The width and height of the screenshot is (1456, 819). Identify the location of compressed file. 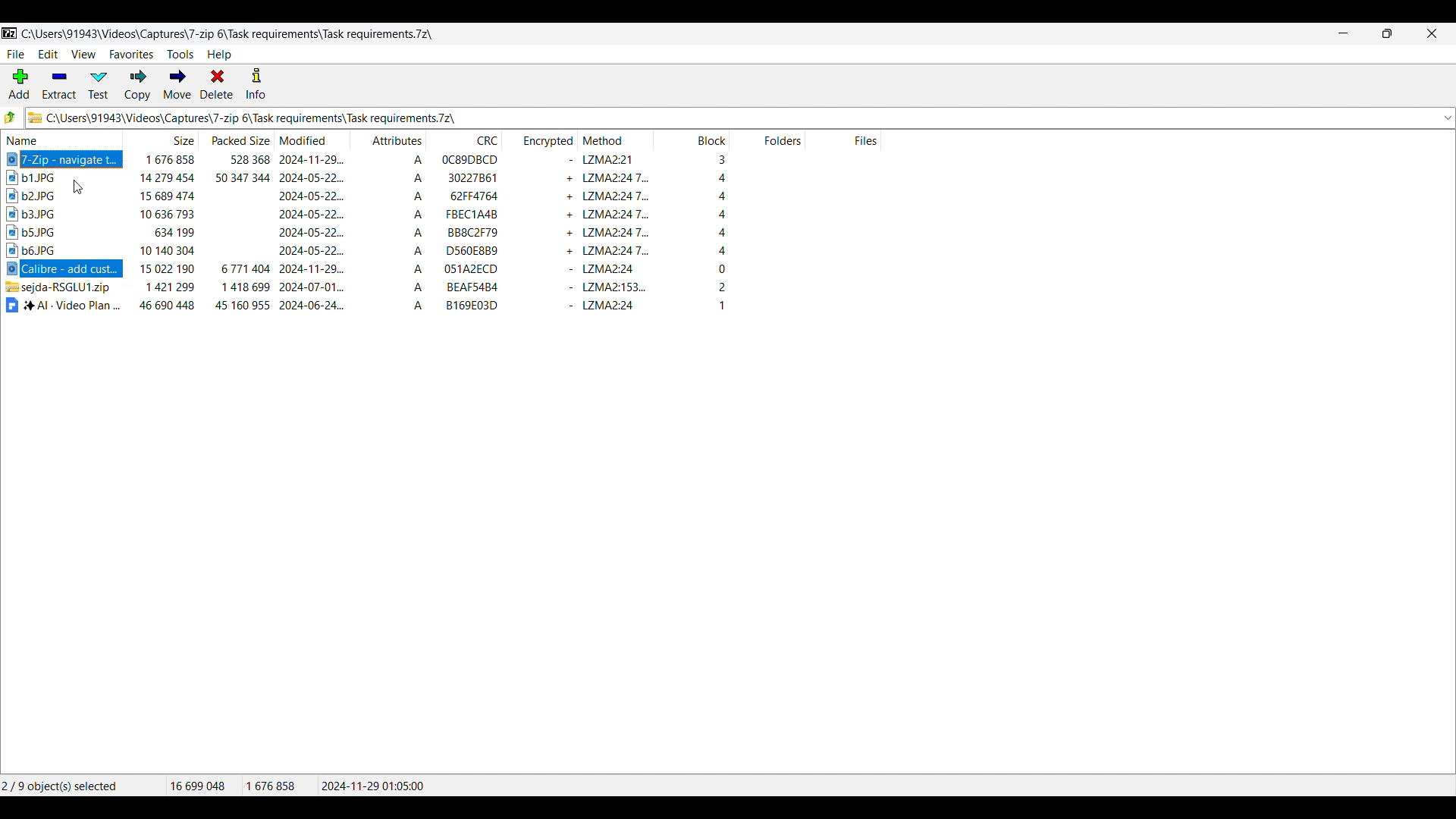
(63, 287).